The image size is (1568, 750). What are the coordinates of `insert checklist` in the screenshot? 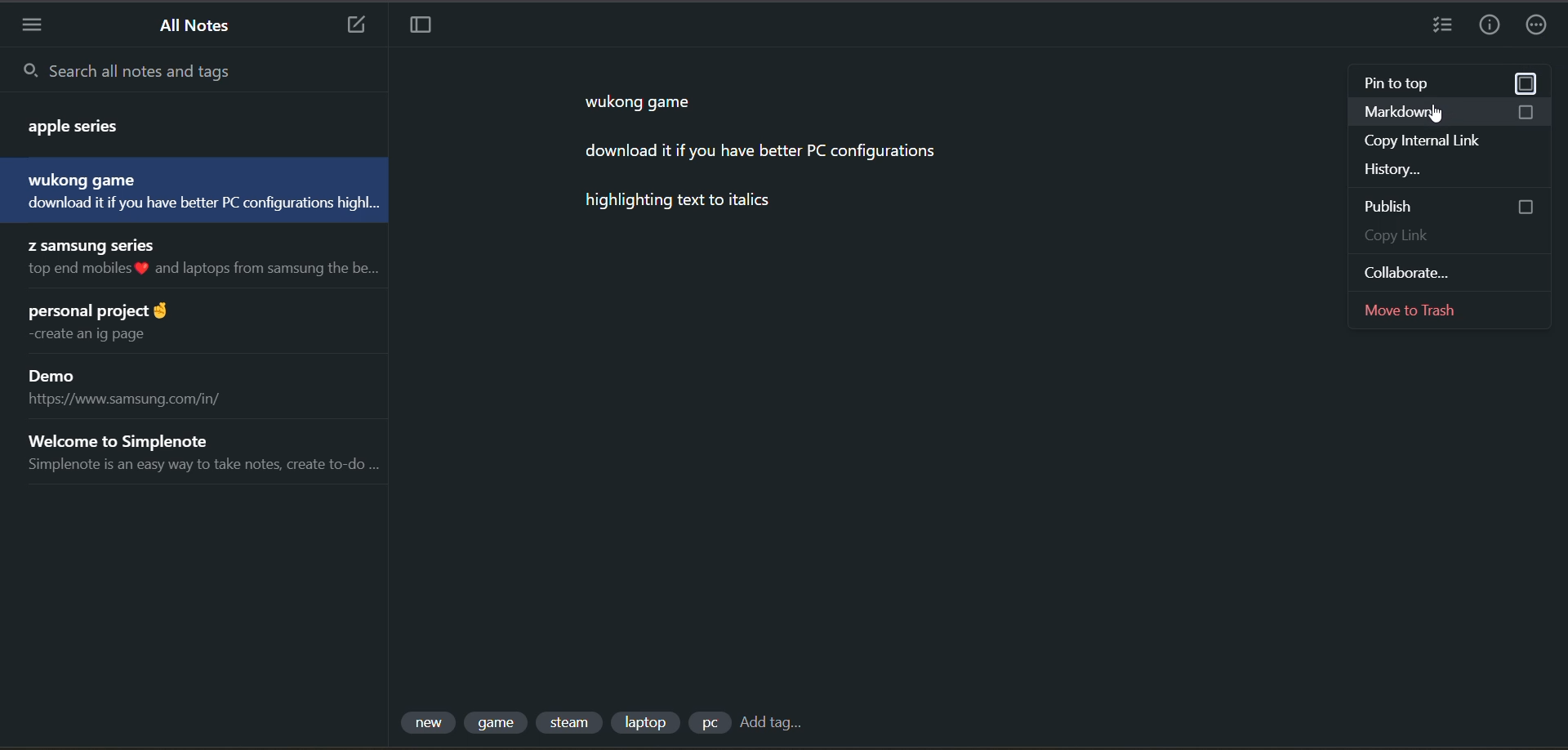 It's located at (1435, 26).